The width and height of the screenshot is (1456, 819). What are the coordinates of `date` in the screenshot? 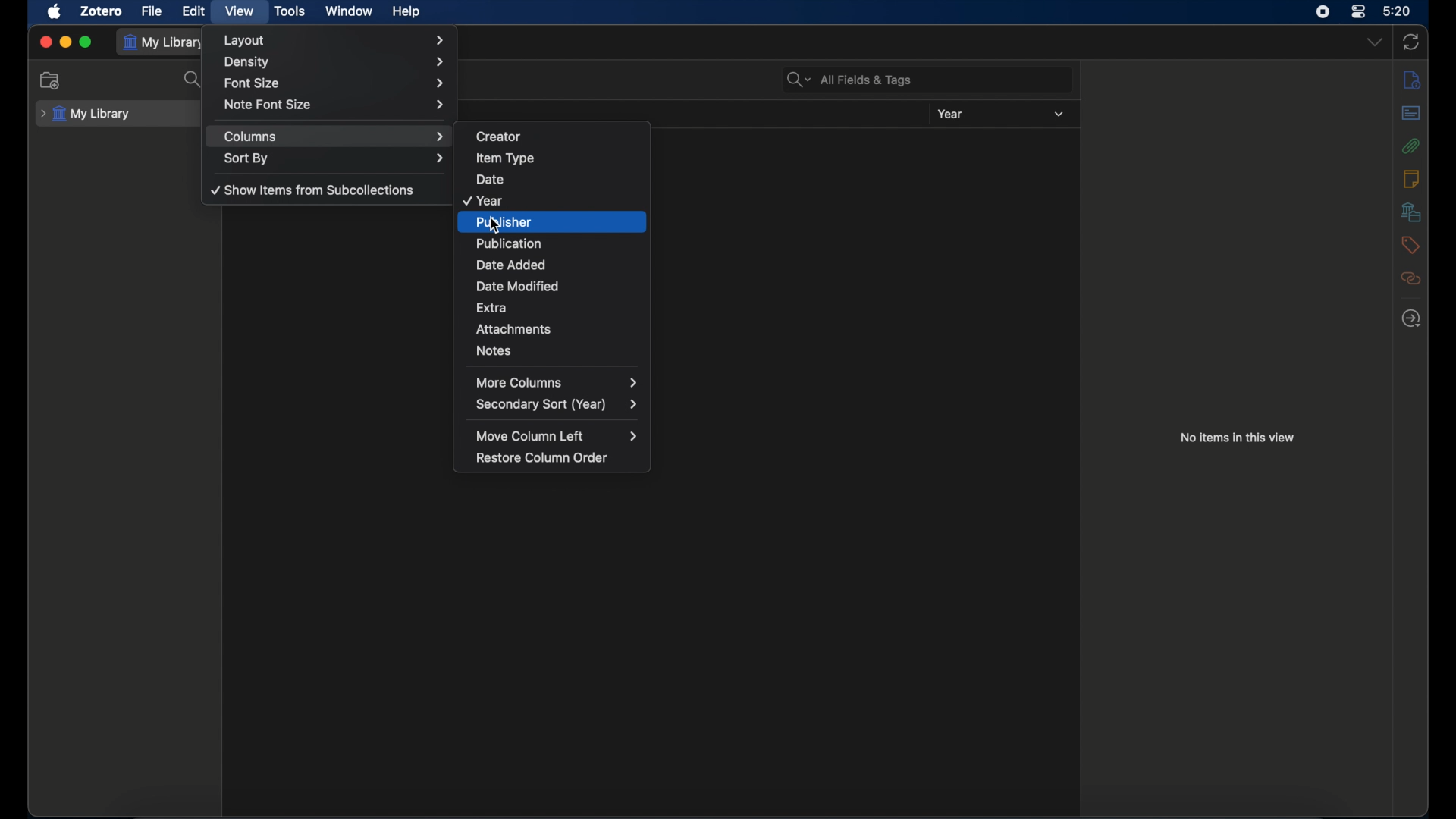 It's located at (558, 178).